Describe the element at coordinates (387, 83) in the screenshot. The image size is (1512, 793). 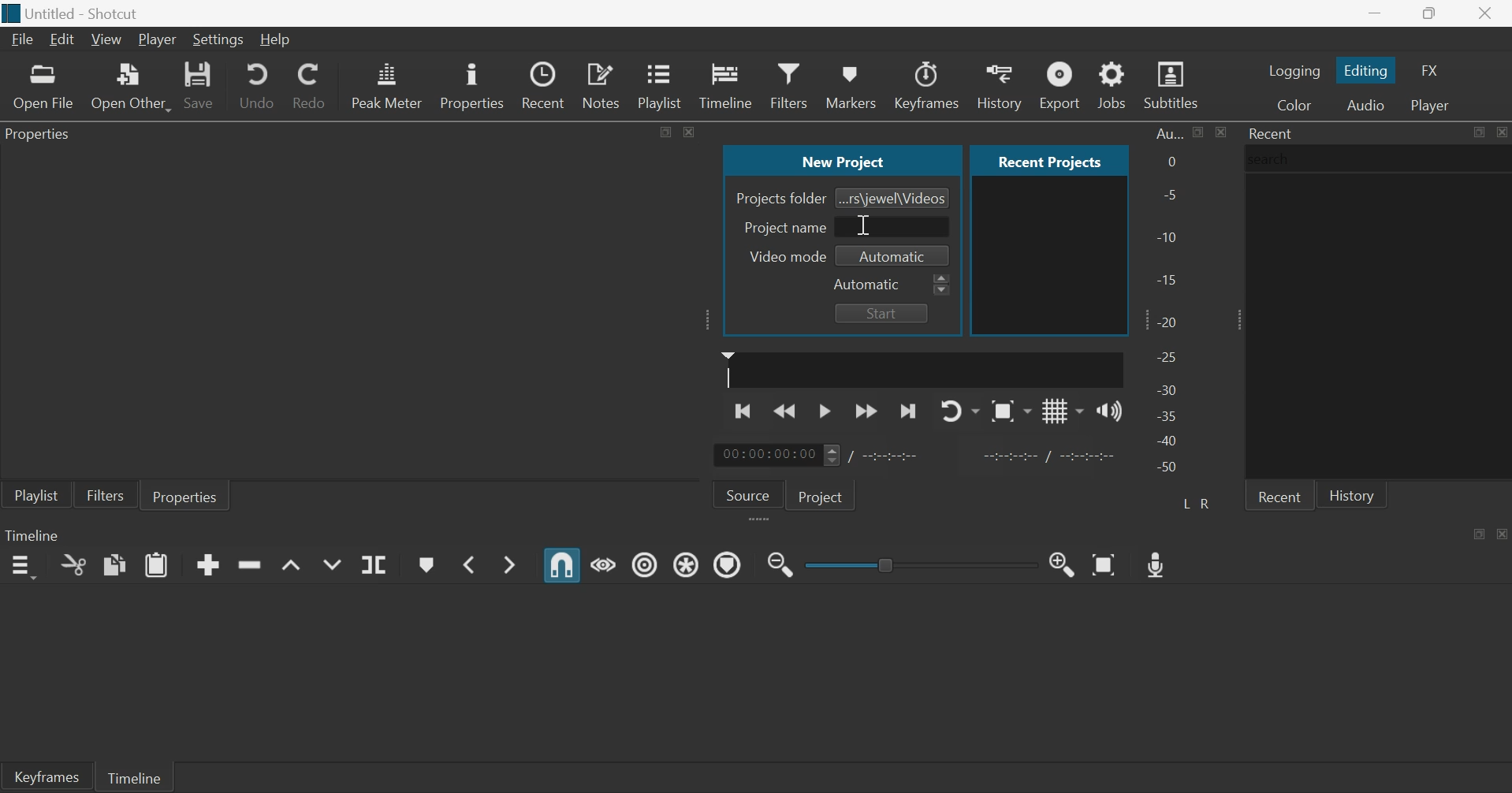
I see `Audio Peak meter` at that location.